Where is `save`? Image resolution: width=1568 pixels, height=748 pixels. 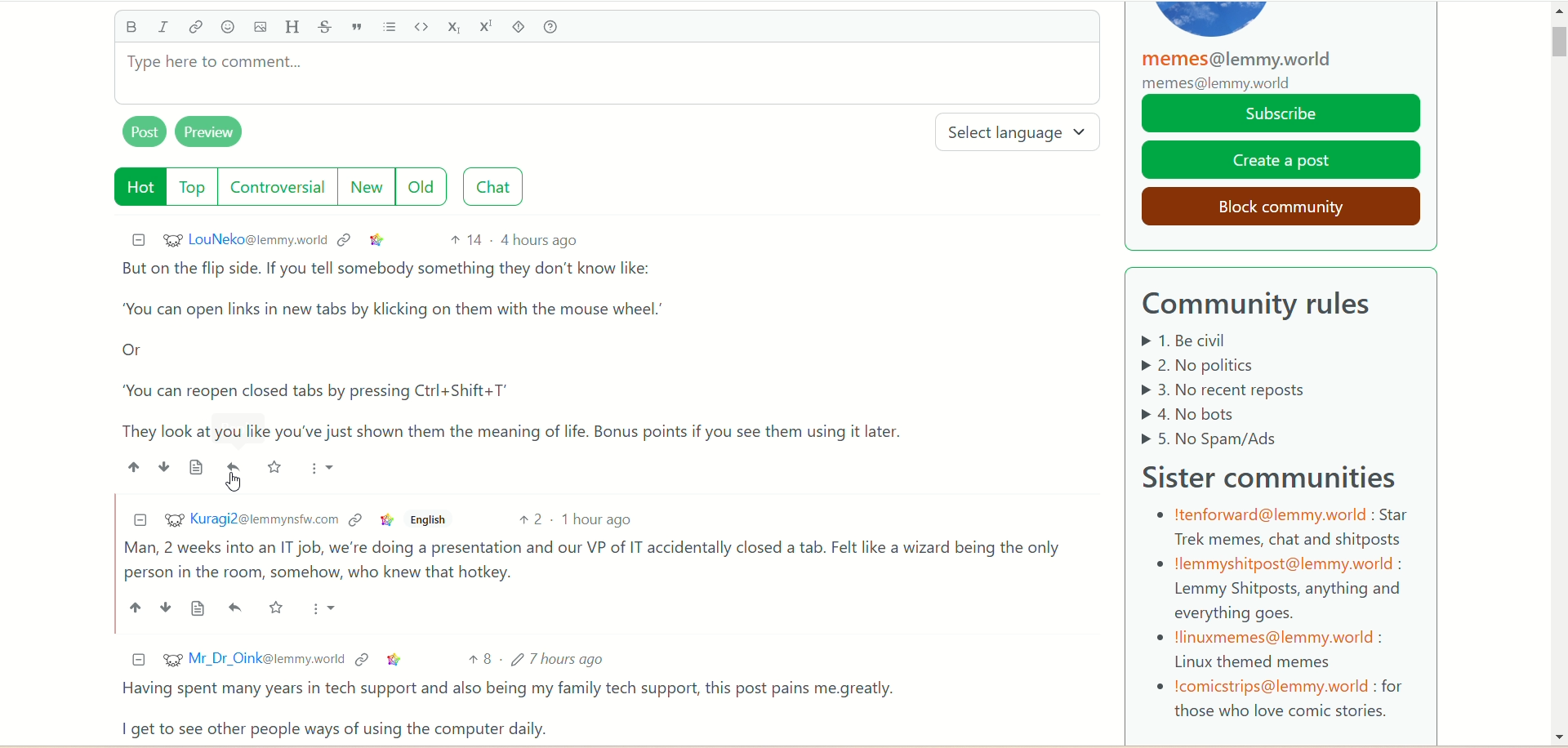 save is located at coordinates (278, 608).